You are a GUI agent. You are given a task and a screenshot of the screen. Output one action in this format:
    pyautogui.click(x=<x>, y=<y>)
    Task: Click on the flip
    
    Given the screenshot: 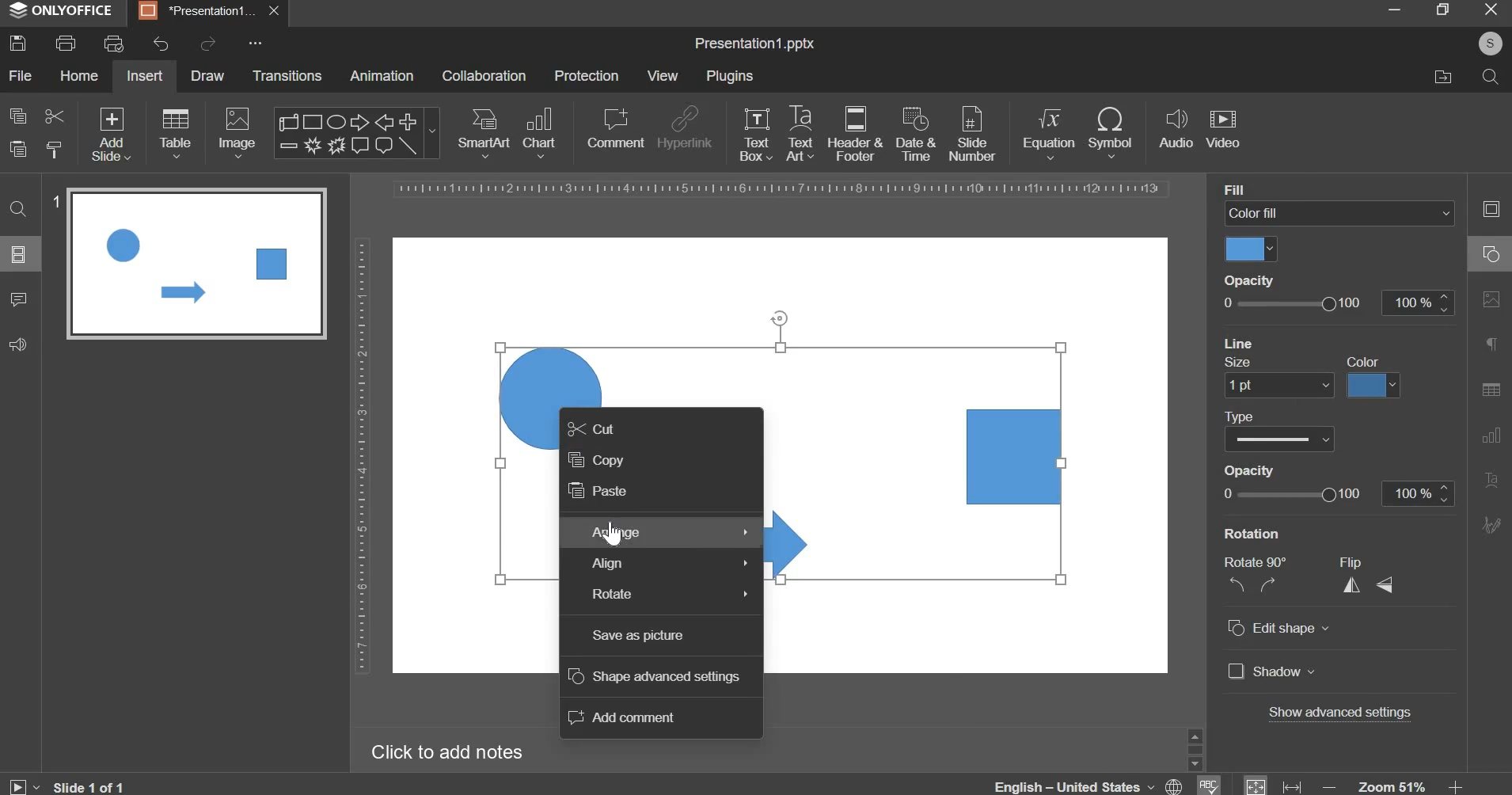 What is the action you would take?
    pyautogui.click(x=1360, y=561)
    